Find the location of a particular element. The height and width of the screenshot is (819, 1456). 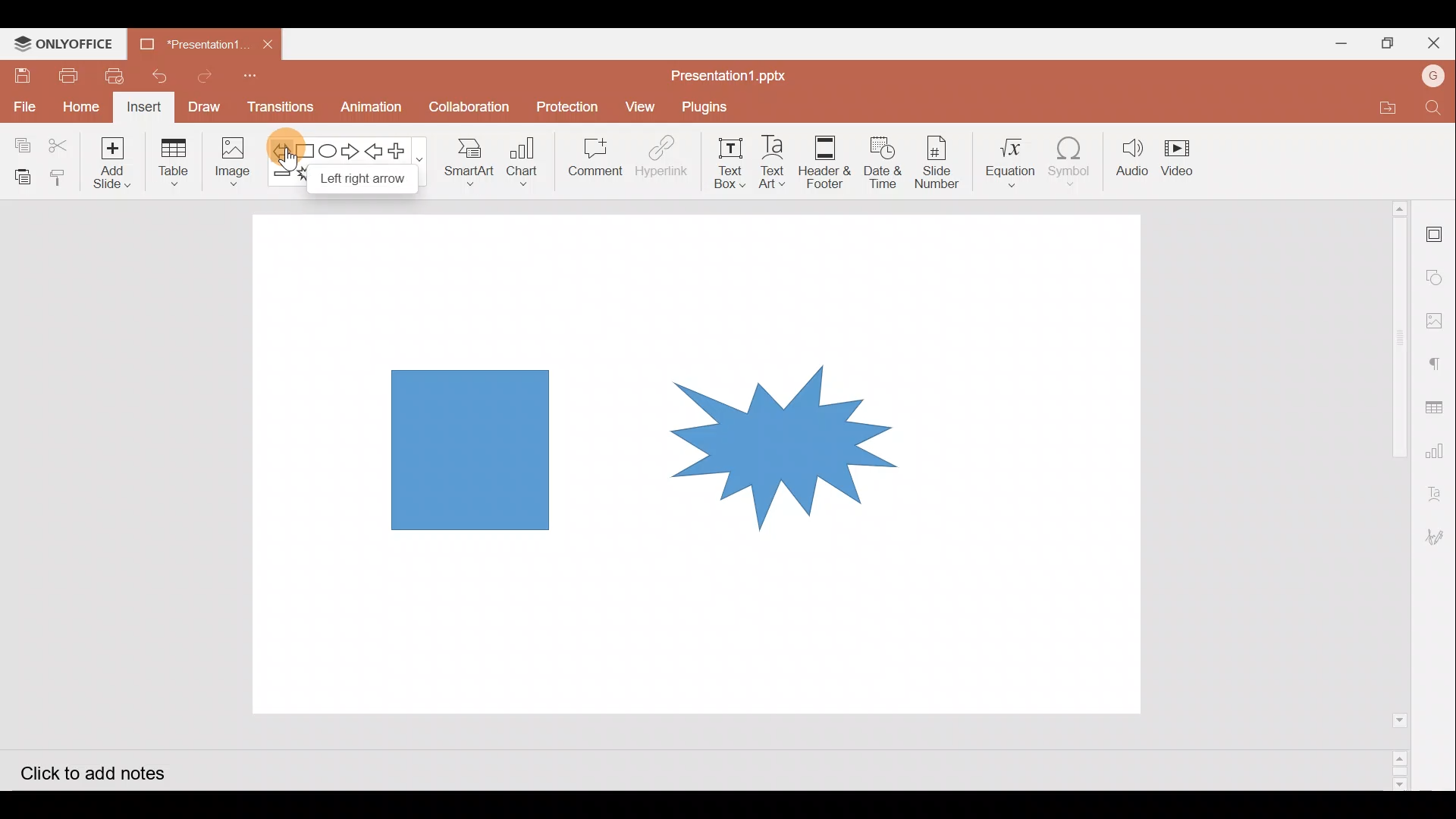

Left arrow is located at coordinates (377, 151).